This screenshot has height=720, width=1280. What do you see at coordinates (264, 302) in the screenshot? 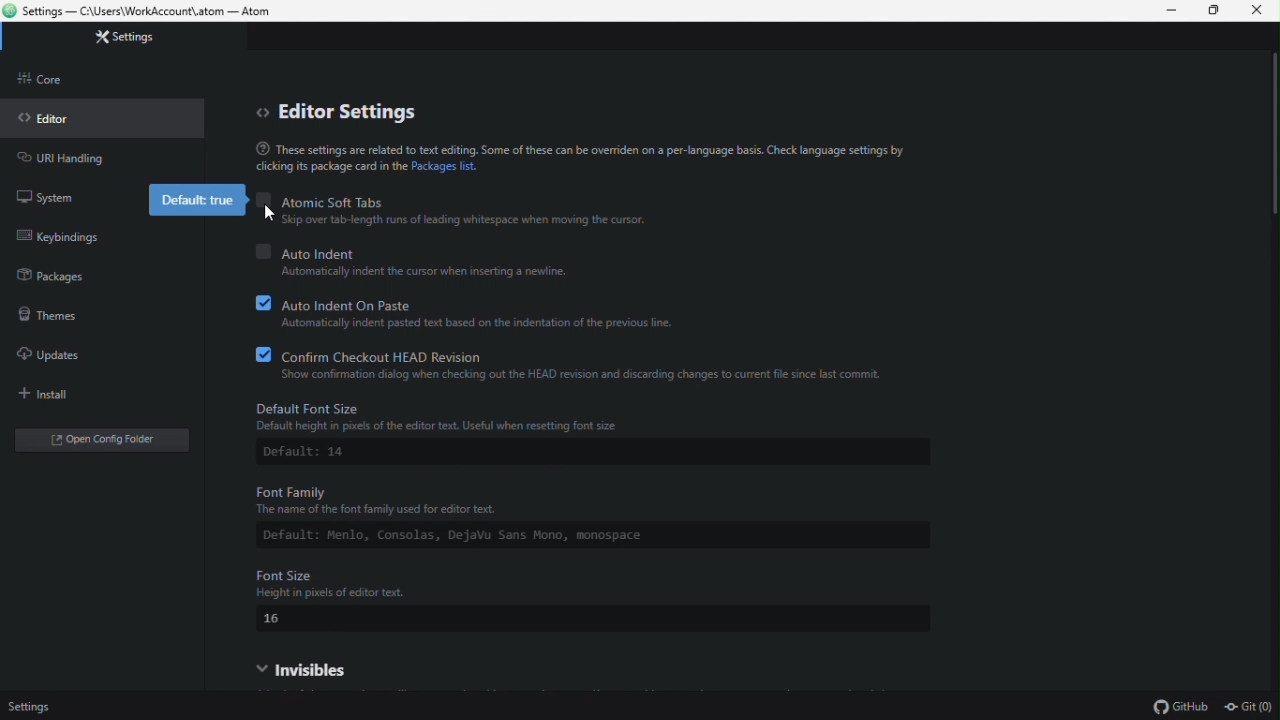
I see `on` at bounding box center [264, 302].